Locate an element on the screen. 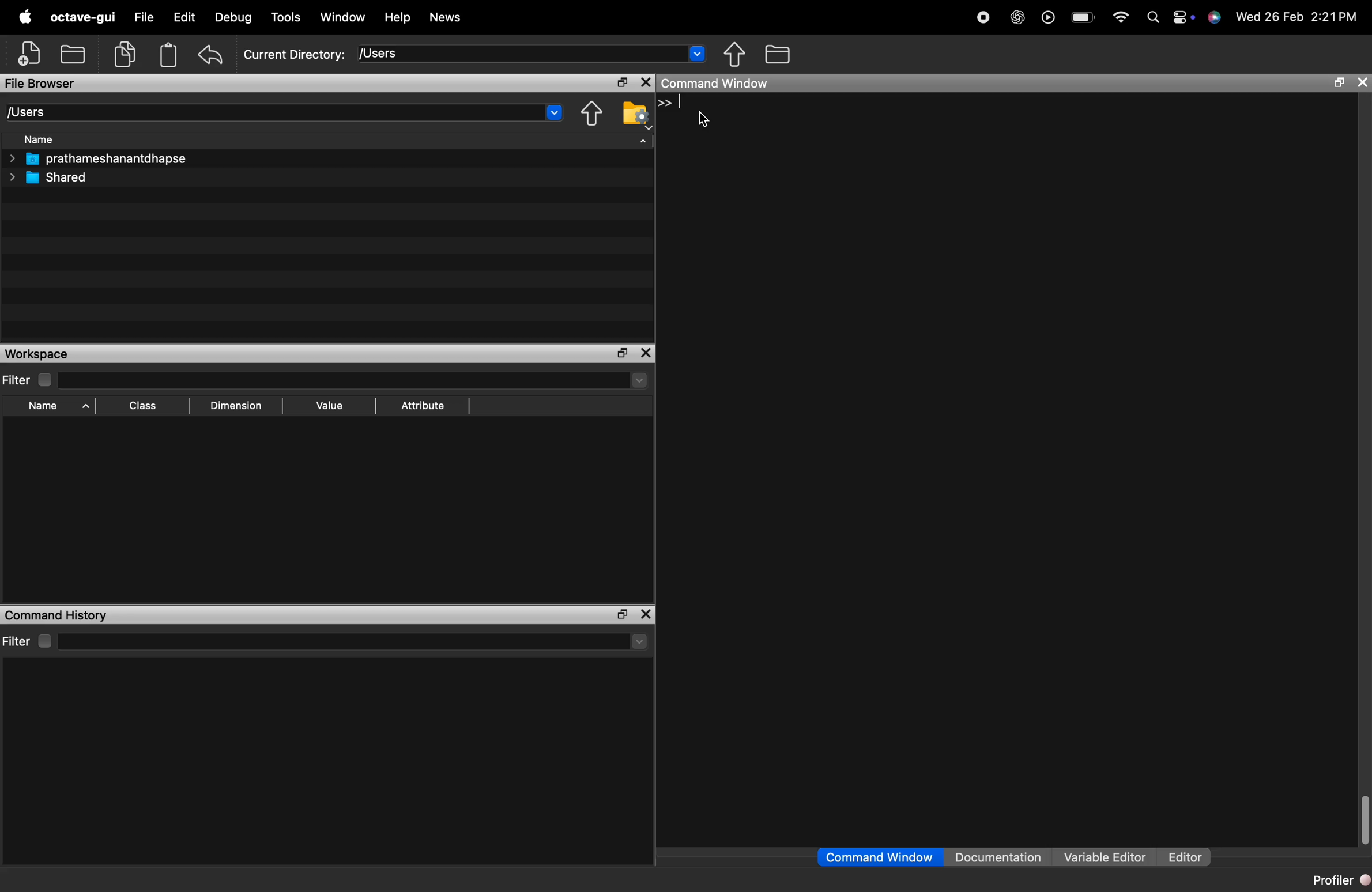  Filter is located at coordinates (28, 642).